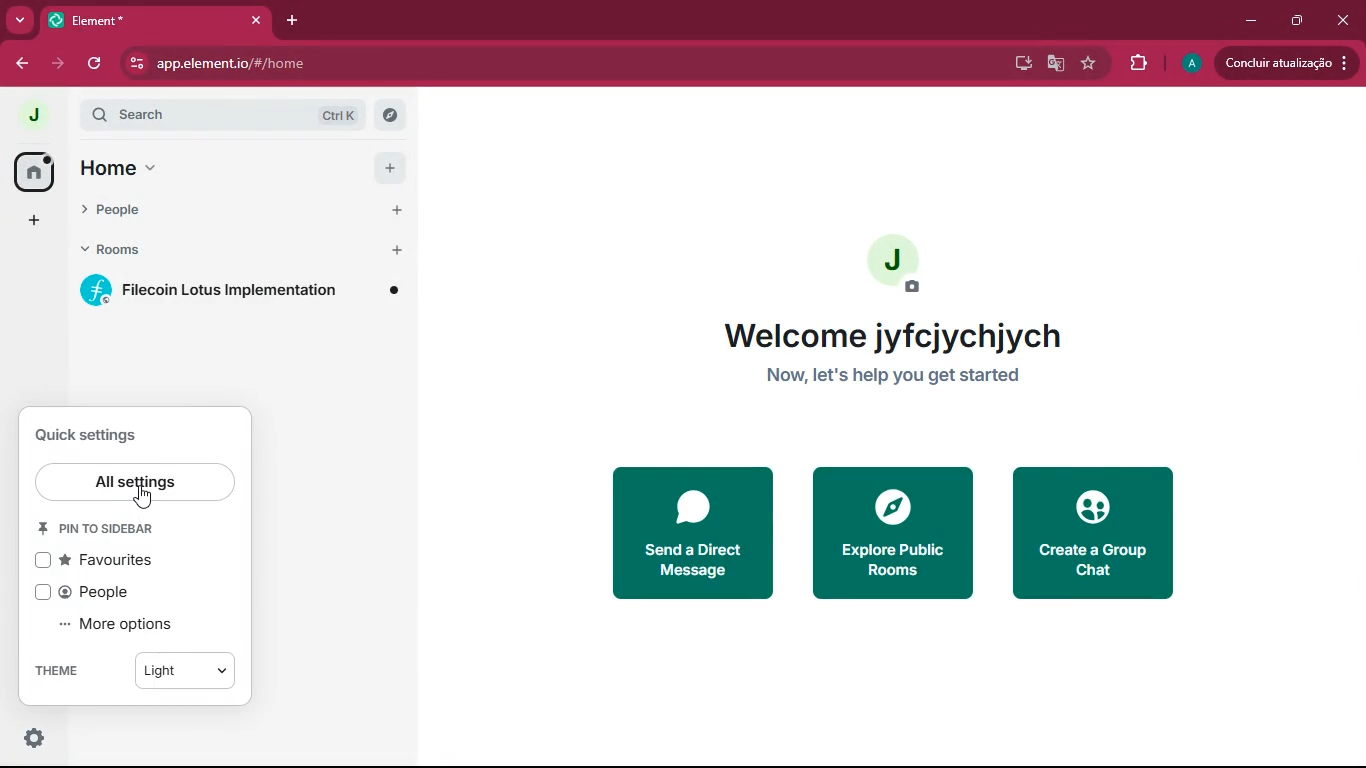 This screenshot has height=768, width=1366. I want to click on send a direct message, so click(693, 533).